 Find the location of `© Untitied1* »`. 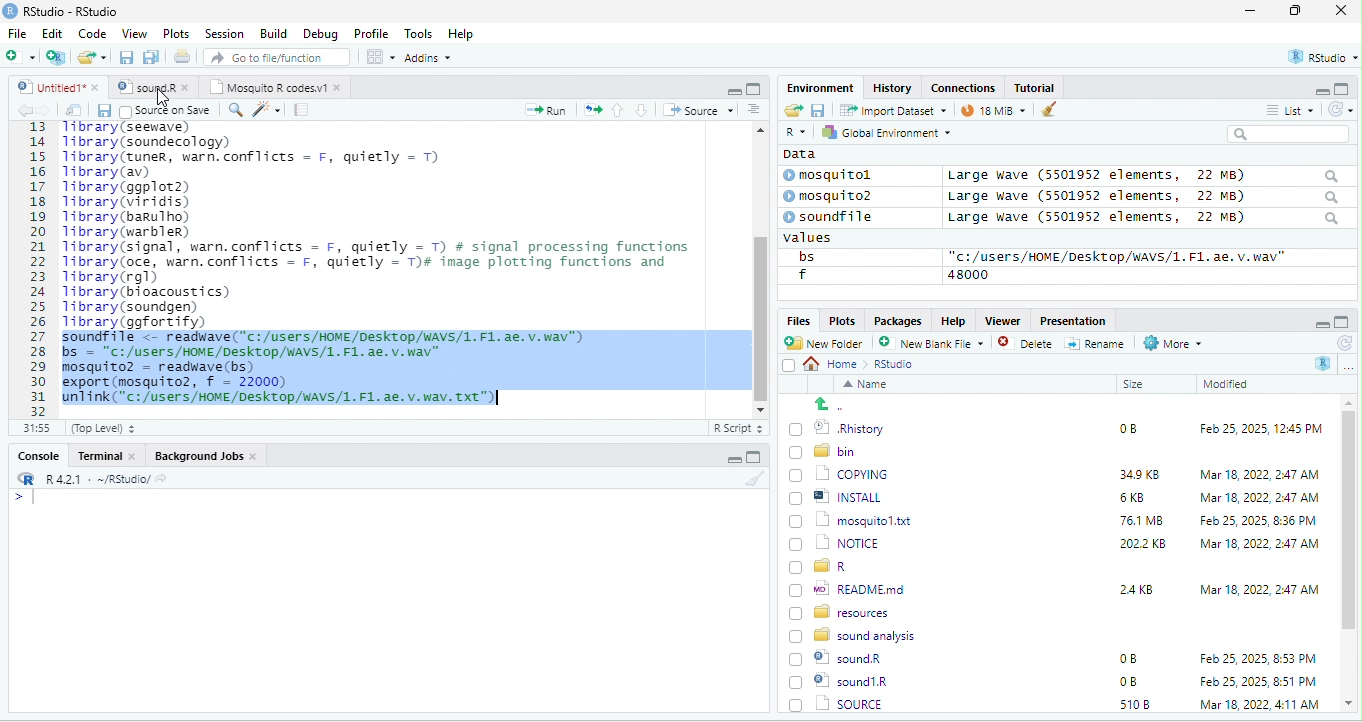

© Untitied1* » is located at coordinates (54, 87).